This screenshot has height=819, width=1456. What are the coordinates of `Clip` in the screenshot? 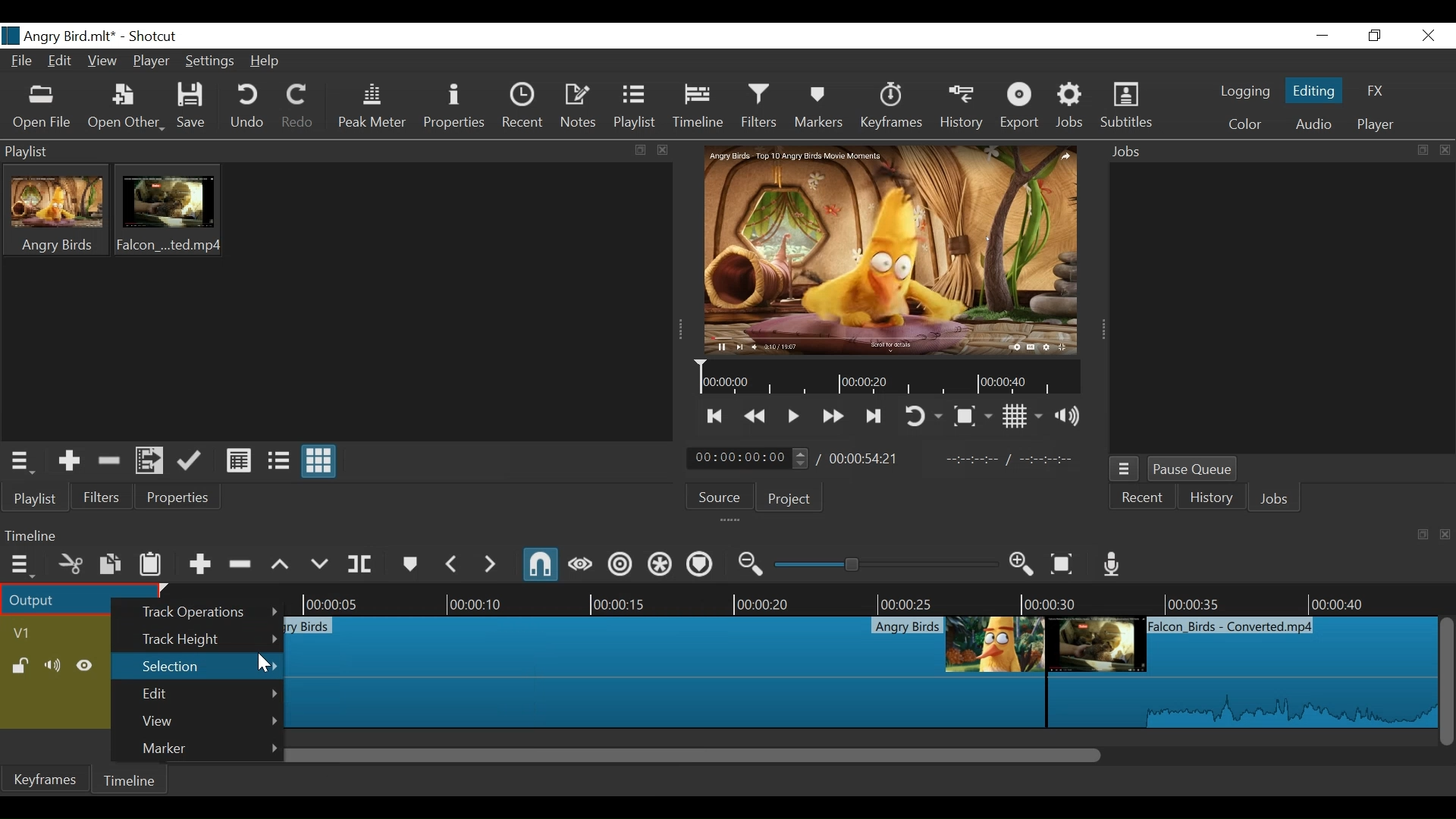 It's located at (57, 209).